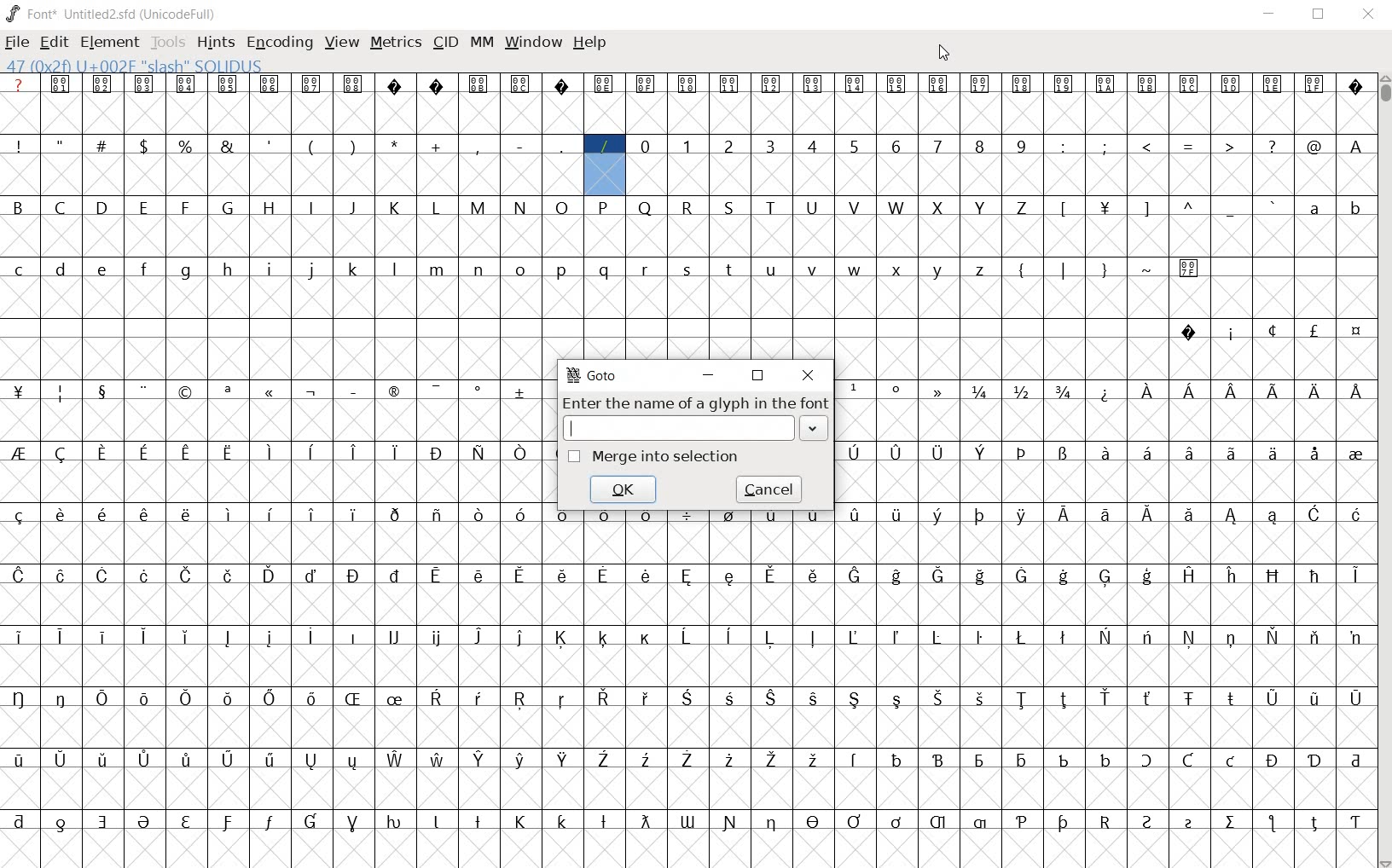 This screenshot has width=1392, height=868. Describe the element at coordinates (1368, 15) in the screenshot. I see `CLOSE` at that location.